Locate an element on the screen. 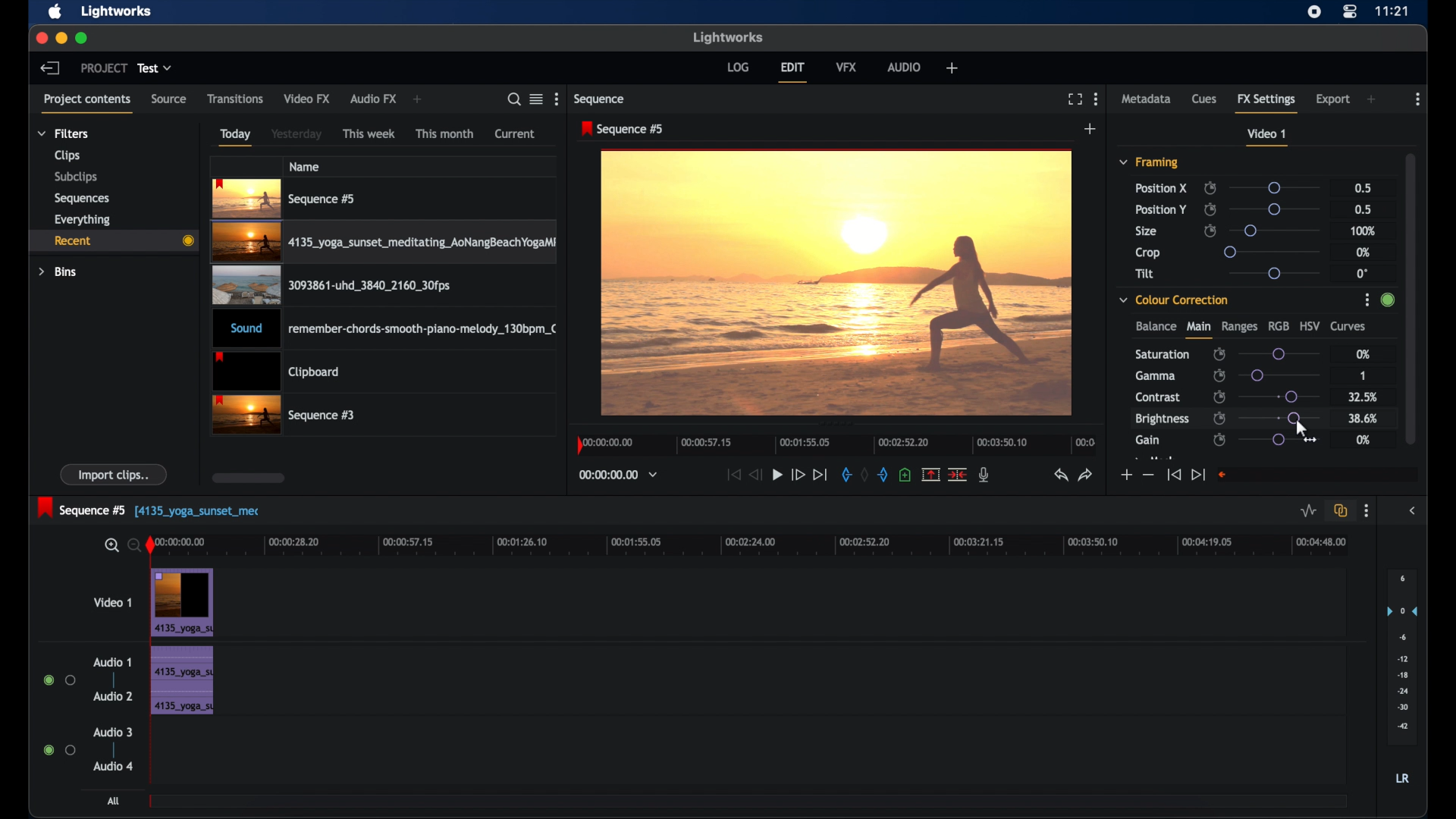 Image resolution: width=1456 pixels, height=819 pixels. audio 4 is located at coordinates (114, 765).